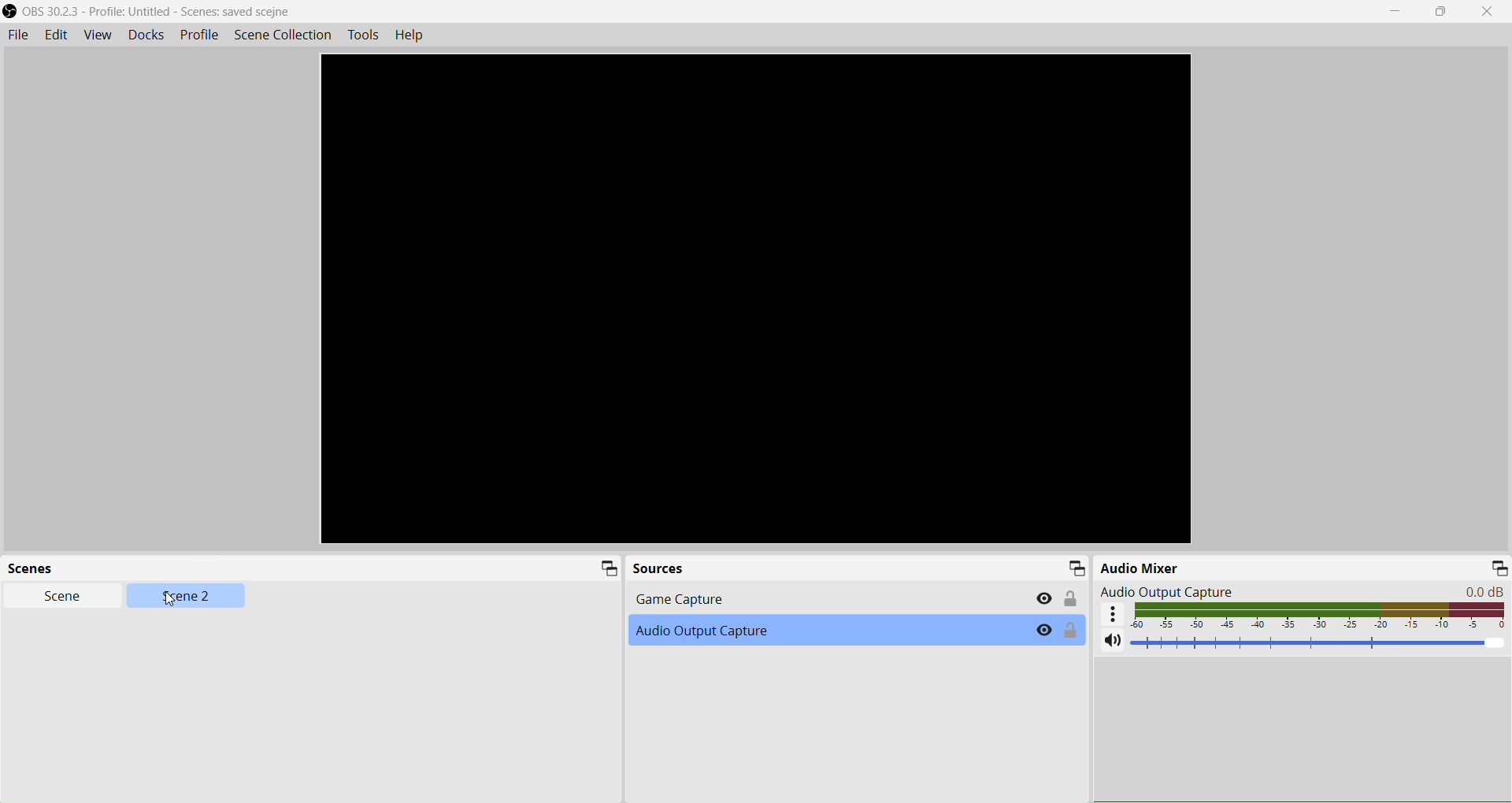 This screenshot has width=1512, height=803. I want to click on Edit, so click(54, 34).